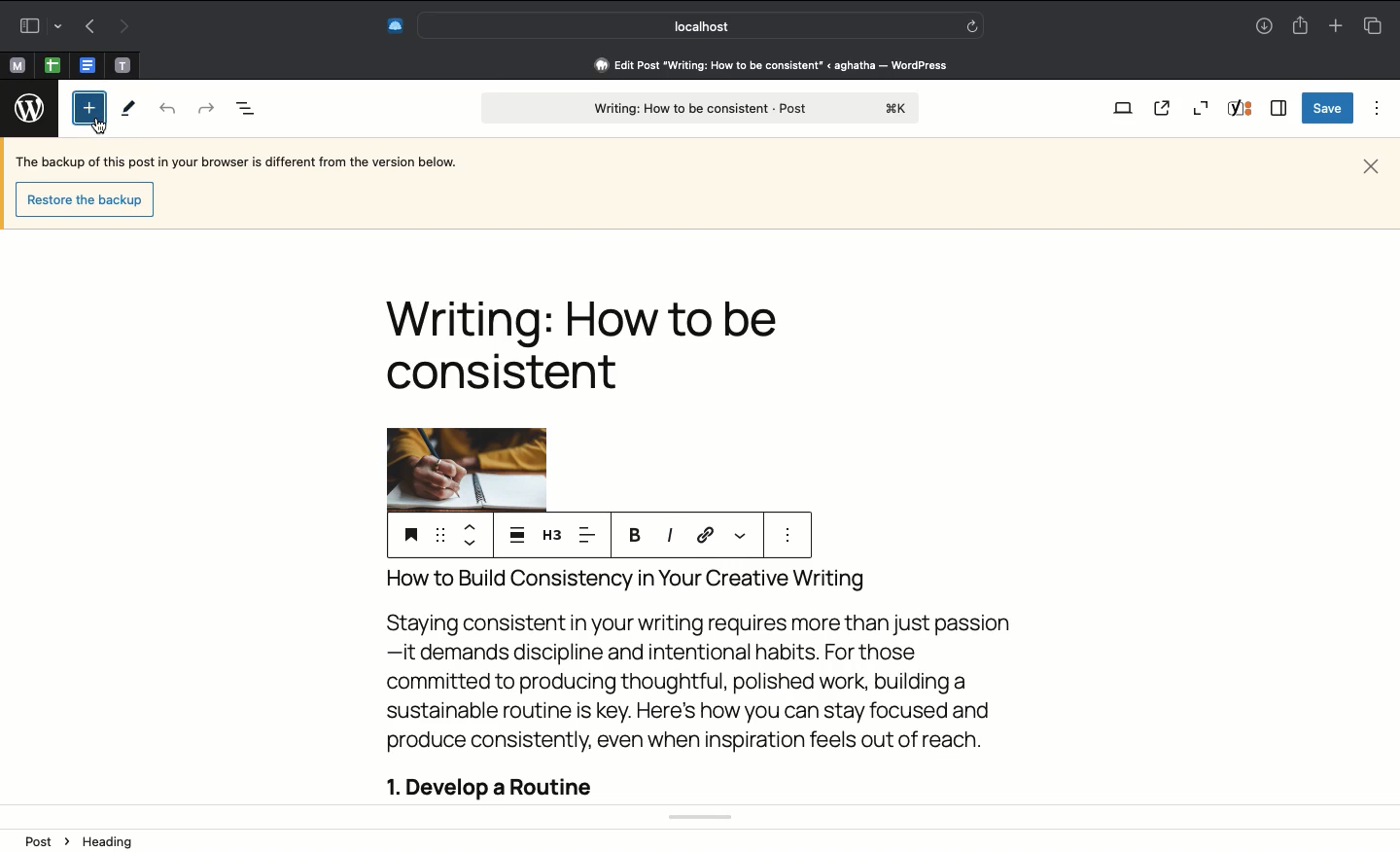  Describe the element at coordinates (515, 535) in the screenshot. I see `Justify` at that location.